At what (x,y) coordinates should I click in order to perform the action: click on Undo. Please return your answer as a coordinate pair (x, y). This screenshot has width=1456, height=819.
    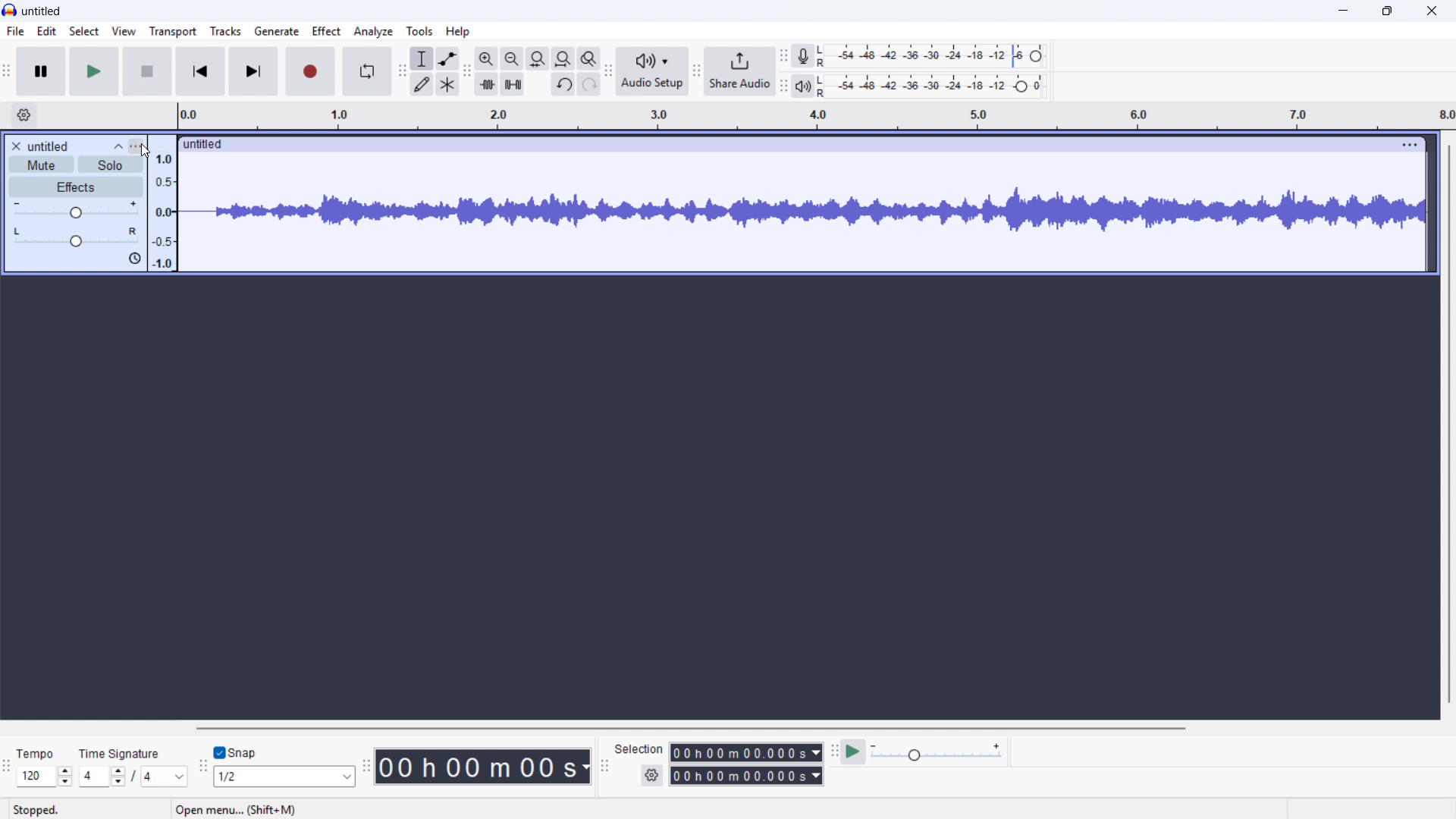
    Looking at the image, I should click on (563, 85).